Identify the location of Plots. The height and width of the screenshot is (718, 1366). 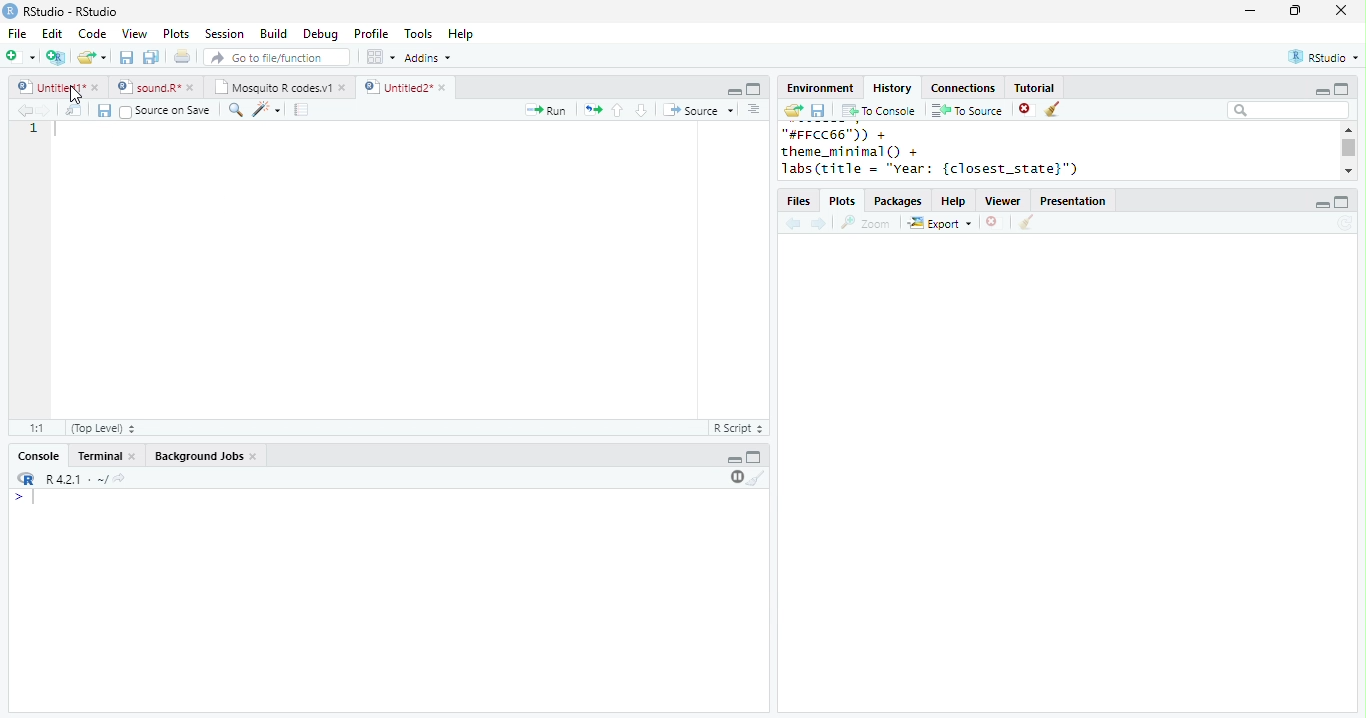
(844, 202).